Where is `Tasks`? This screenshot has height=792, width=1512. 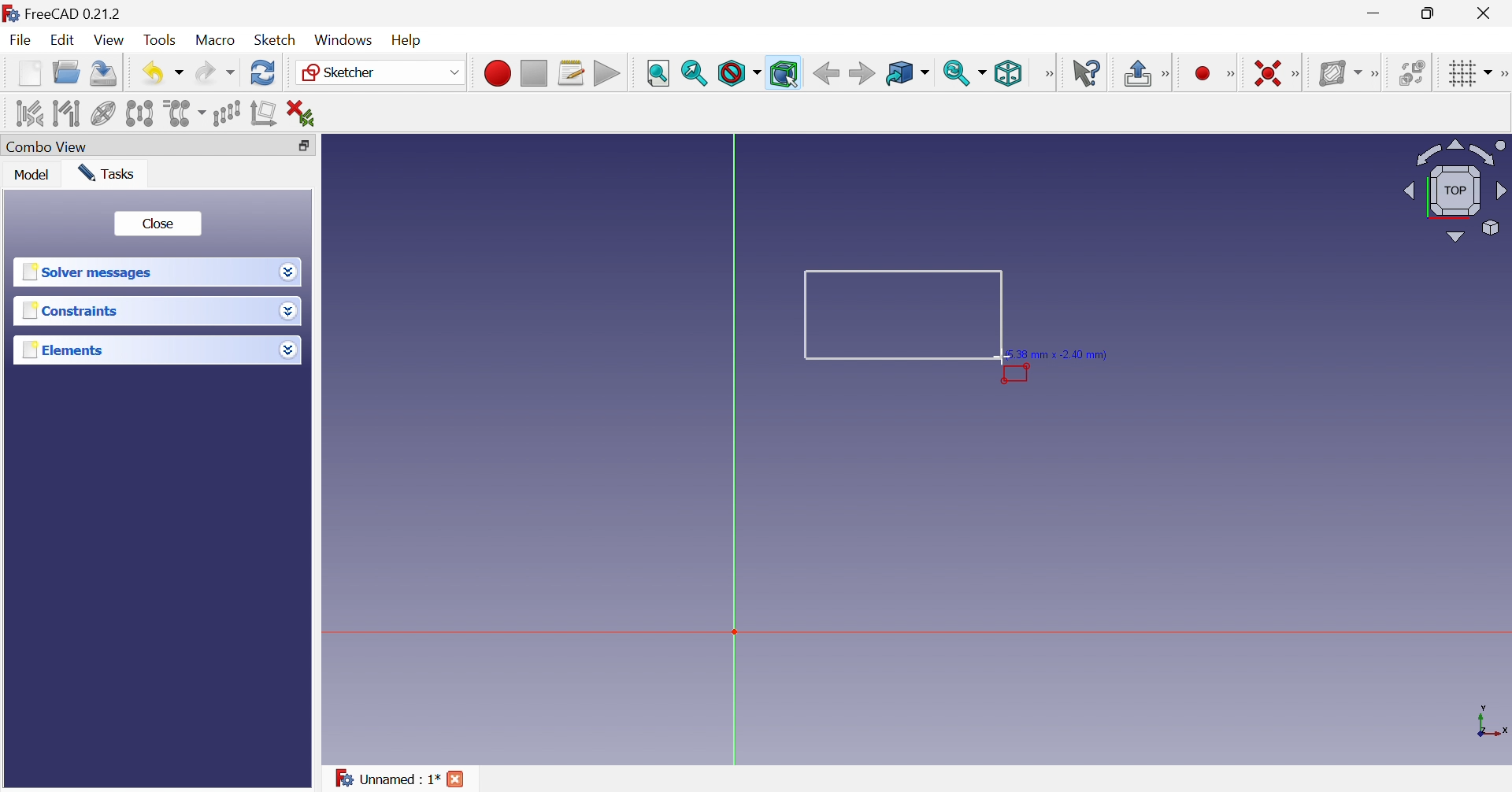 Tasks is located at coordinates (106, 172).